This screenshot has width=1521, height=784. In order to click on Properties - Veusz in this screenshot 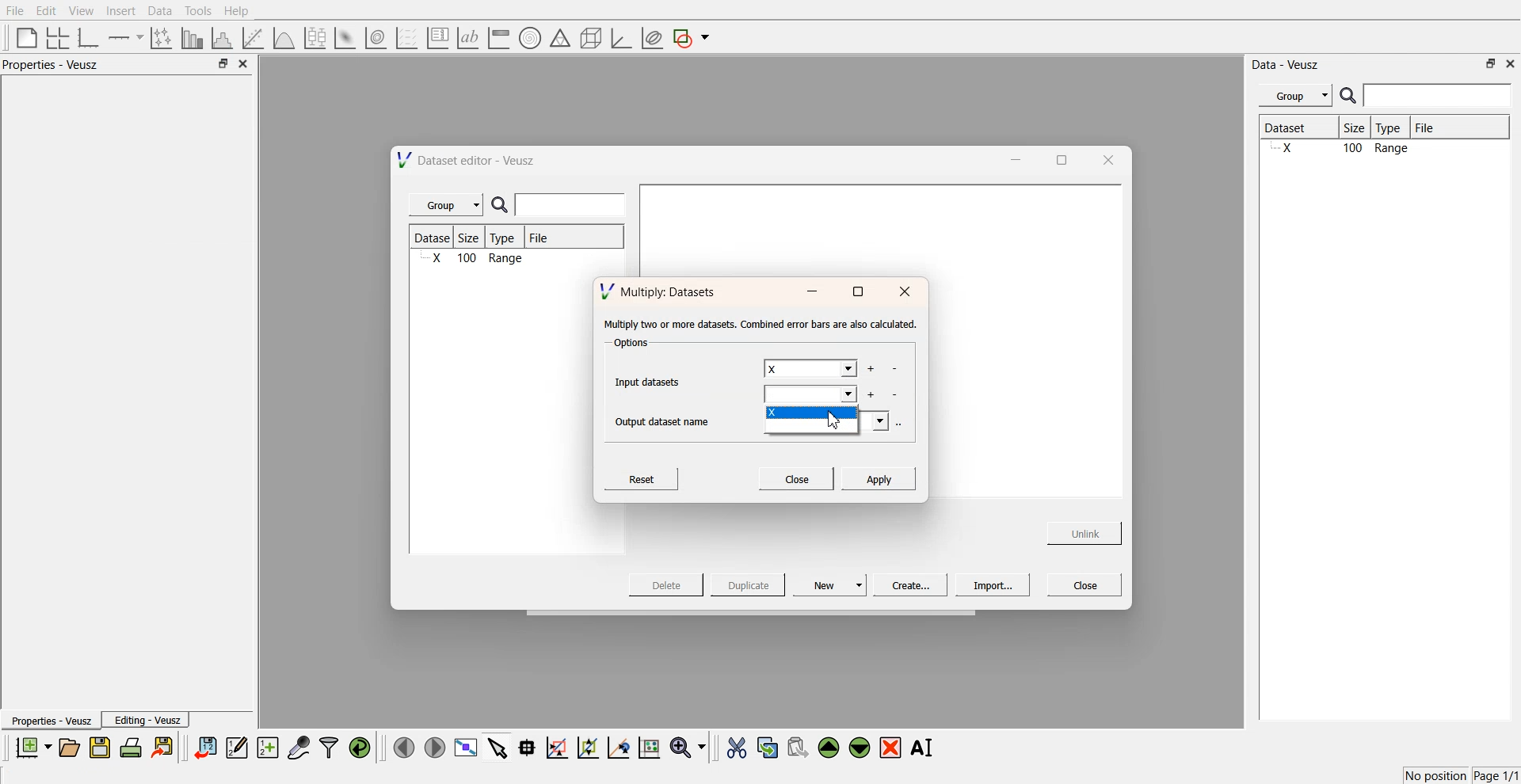, I will do `click(51, 721)`.